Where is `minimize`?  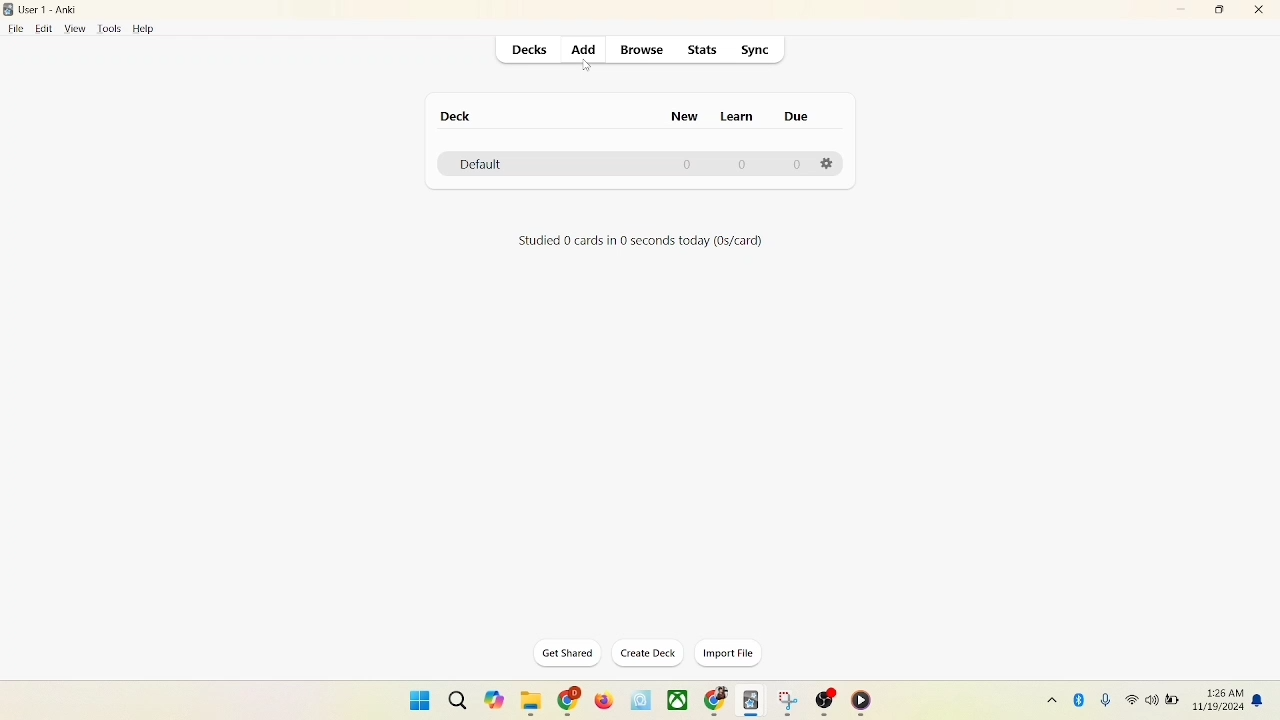 minimize is located at coordinates (1183, 11).